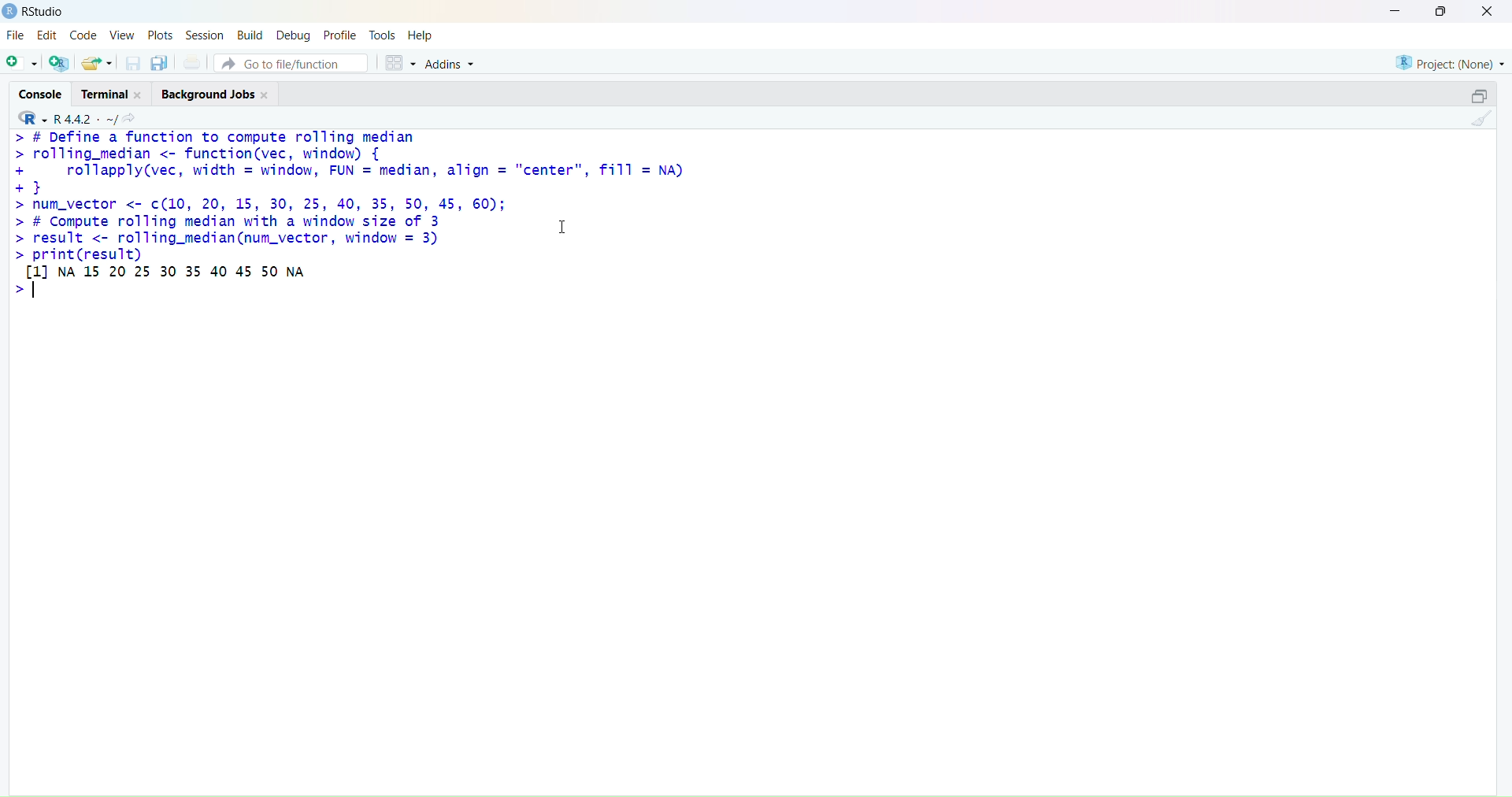 Image resolution: width=1512 pixels, height=797 pixels. Describe the element at coordinates (422, 36) in the screenshot. I see `help` at that location.